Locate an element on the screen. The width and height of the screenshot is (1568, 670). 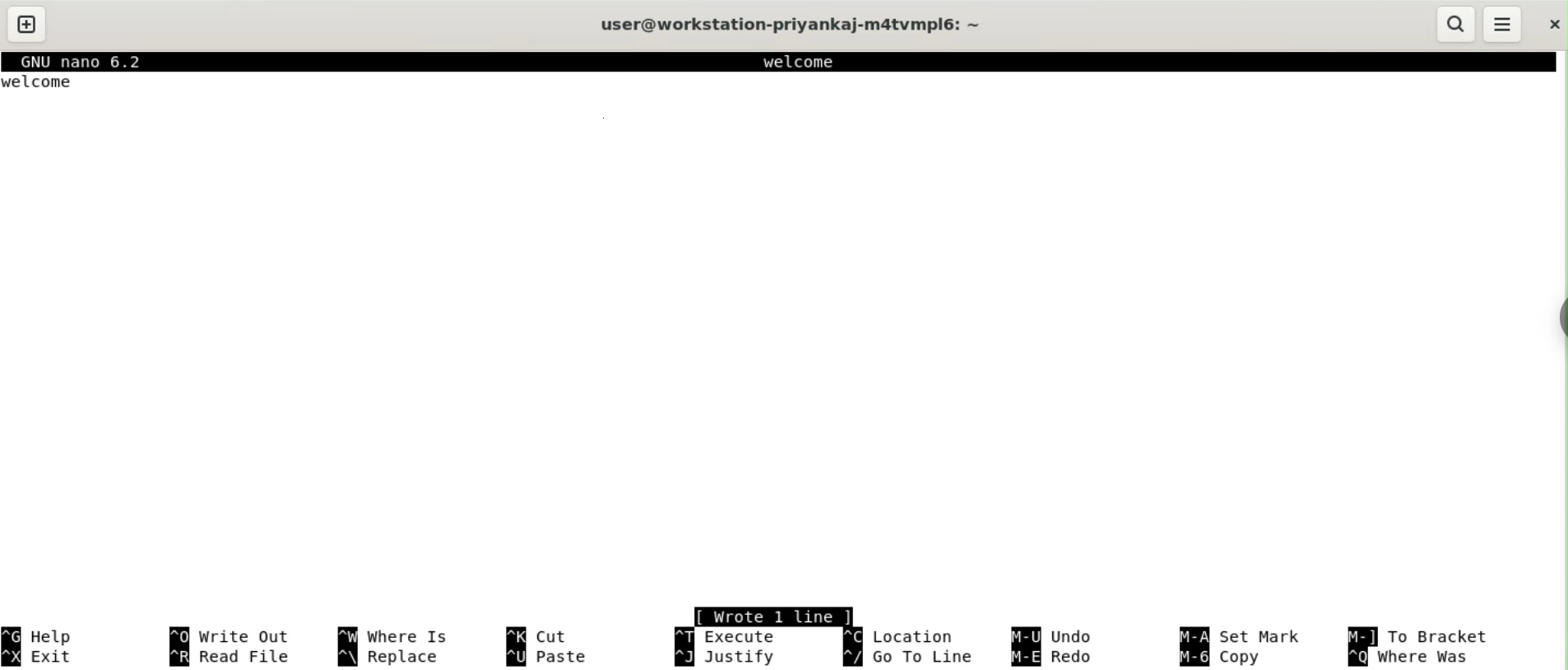
write out is located at coordinates (233, 636).